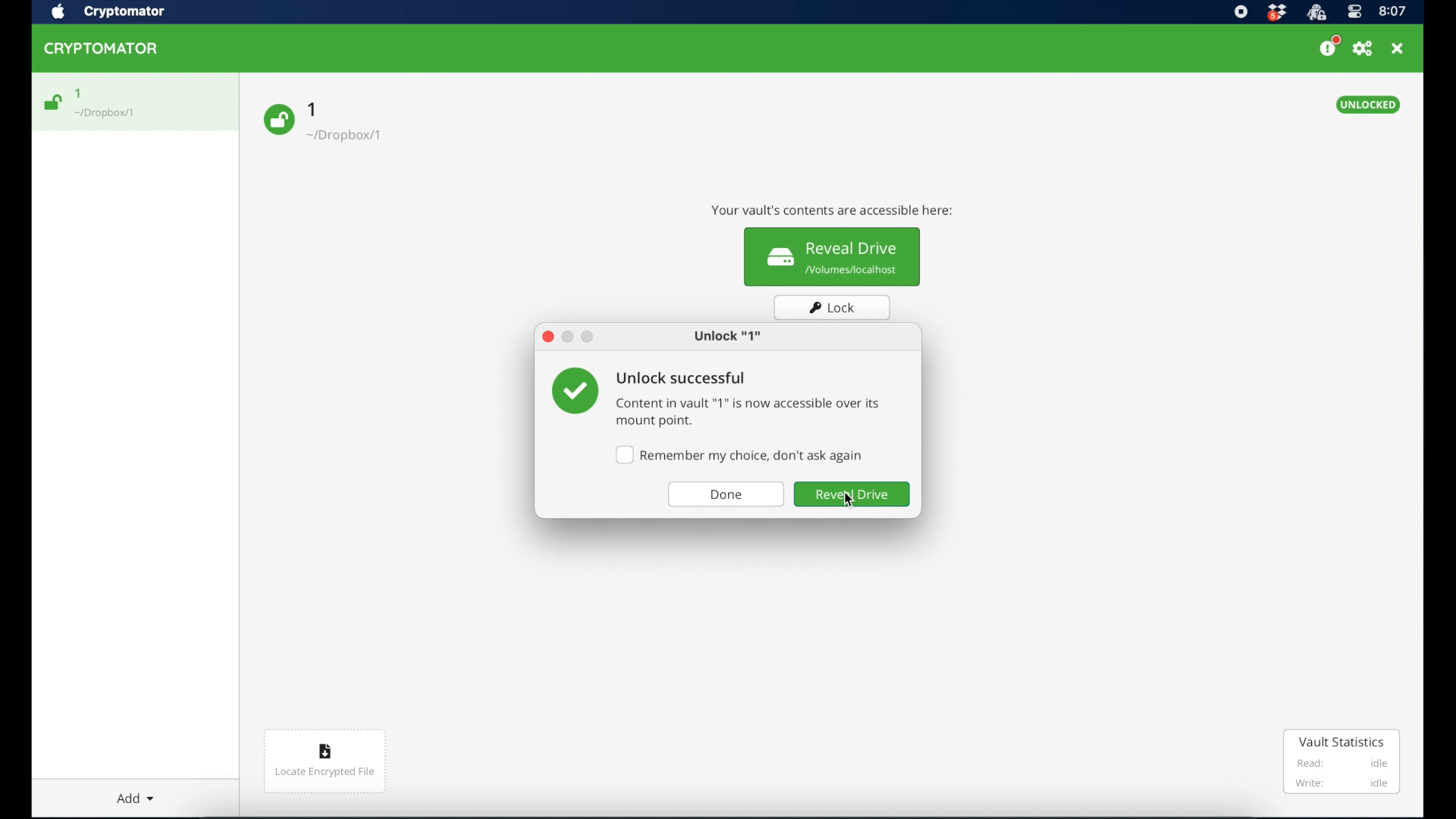  I want to click on dropbox icon, so click(1276, 13).